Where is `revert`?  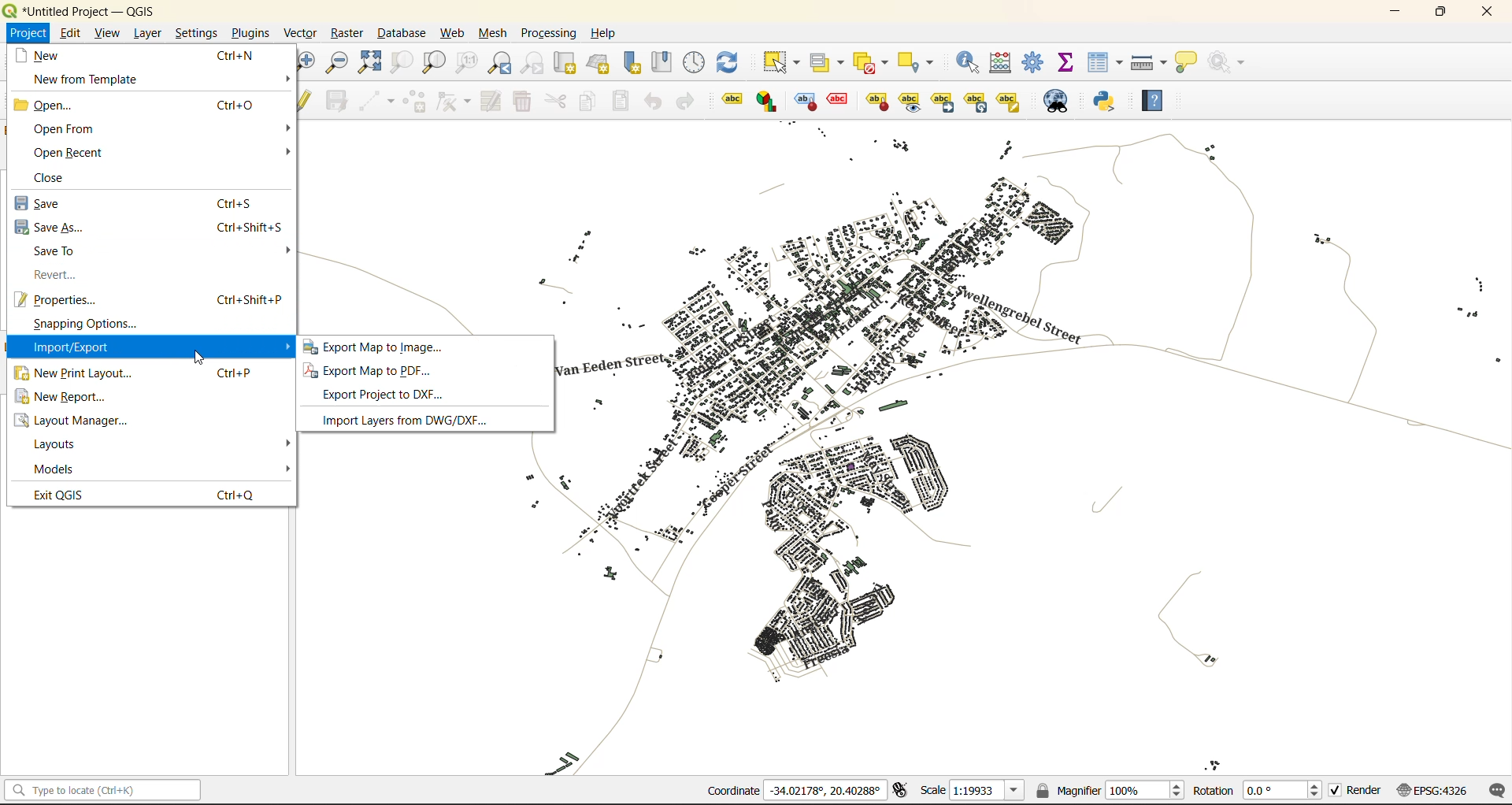 revert is located at coordinates (52, 275).